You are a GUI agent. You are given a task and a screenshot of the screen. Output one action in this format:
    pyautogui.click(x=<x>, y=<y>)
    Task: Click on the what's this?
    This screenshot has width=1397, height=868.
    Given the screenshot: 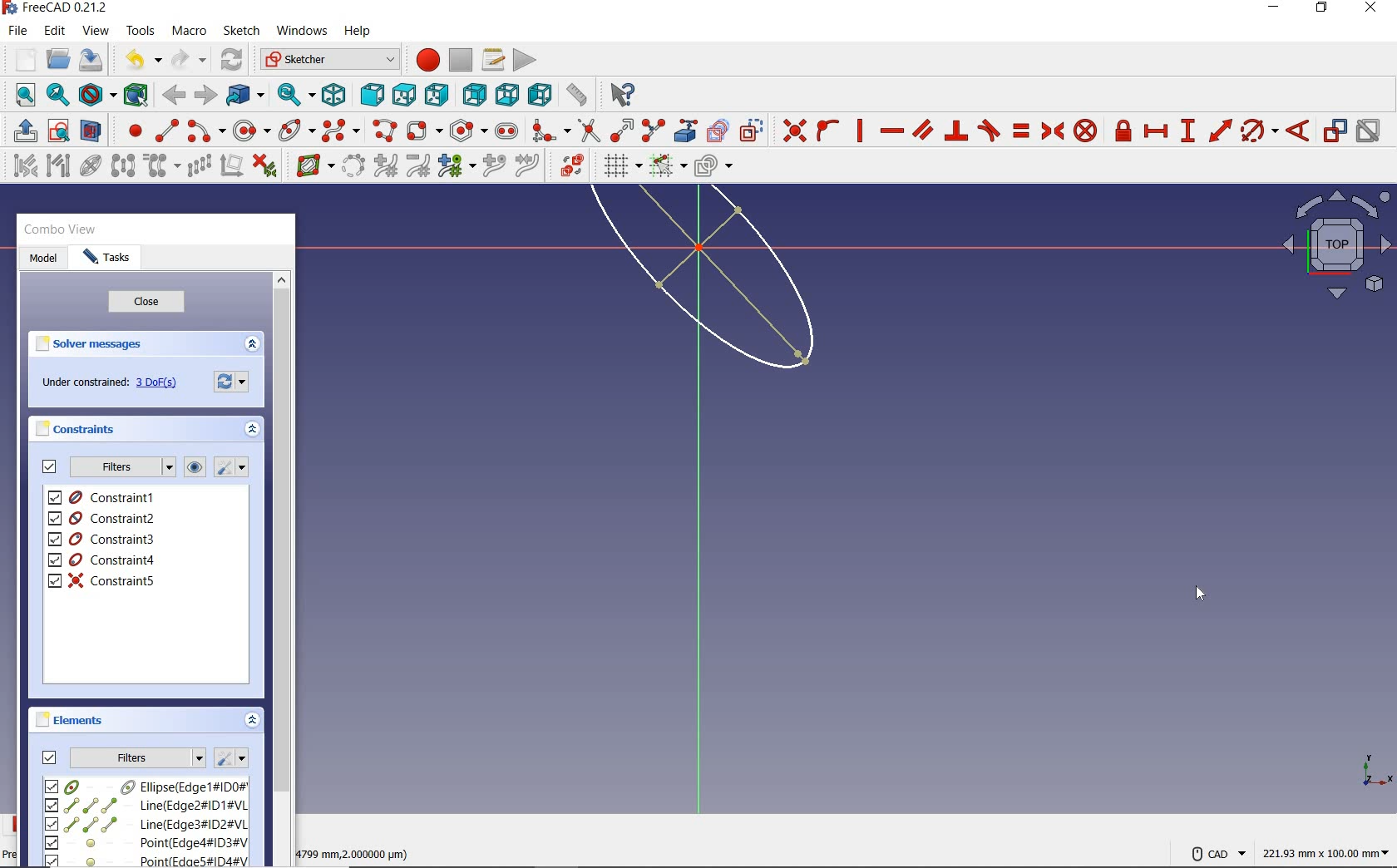 What is the action you would take?
    pyautogui.click(x=620, y=91)
    